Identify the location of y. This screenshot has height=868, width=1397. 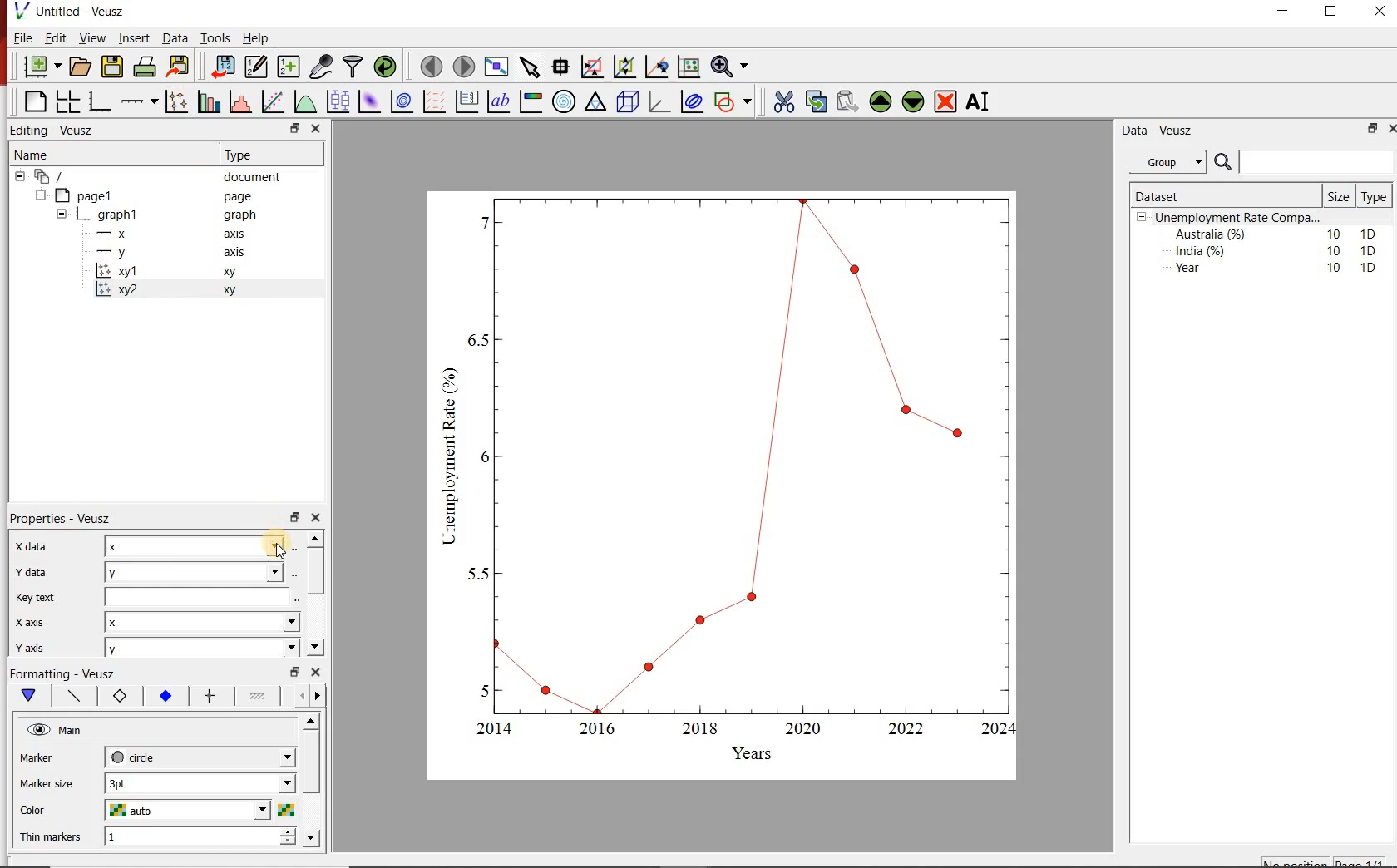
(198, 649).